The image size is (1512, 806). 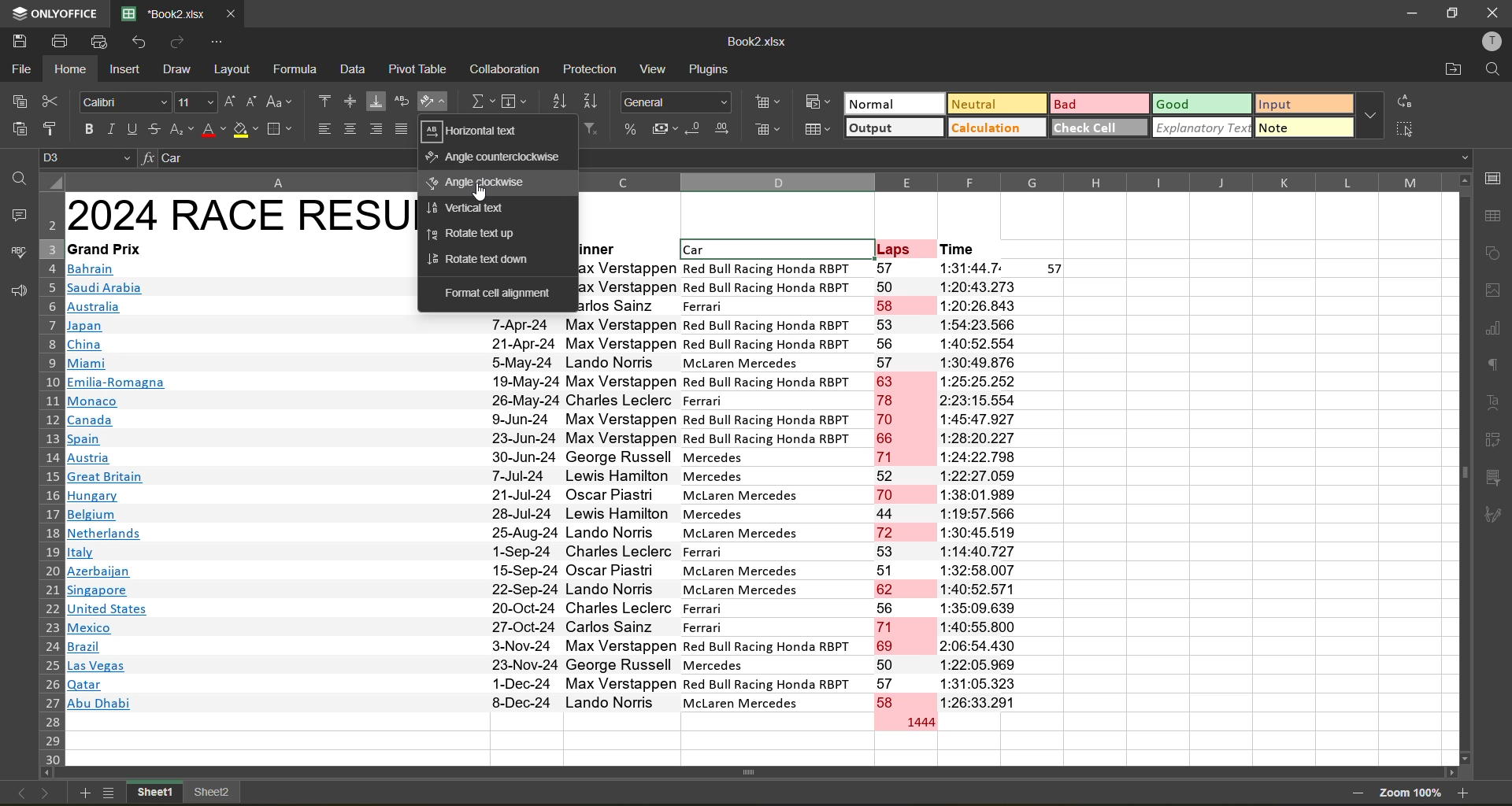 I want to click on calculation, so click(x=998, y=128).